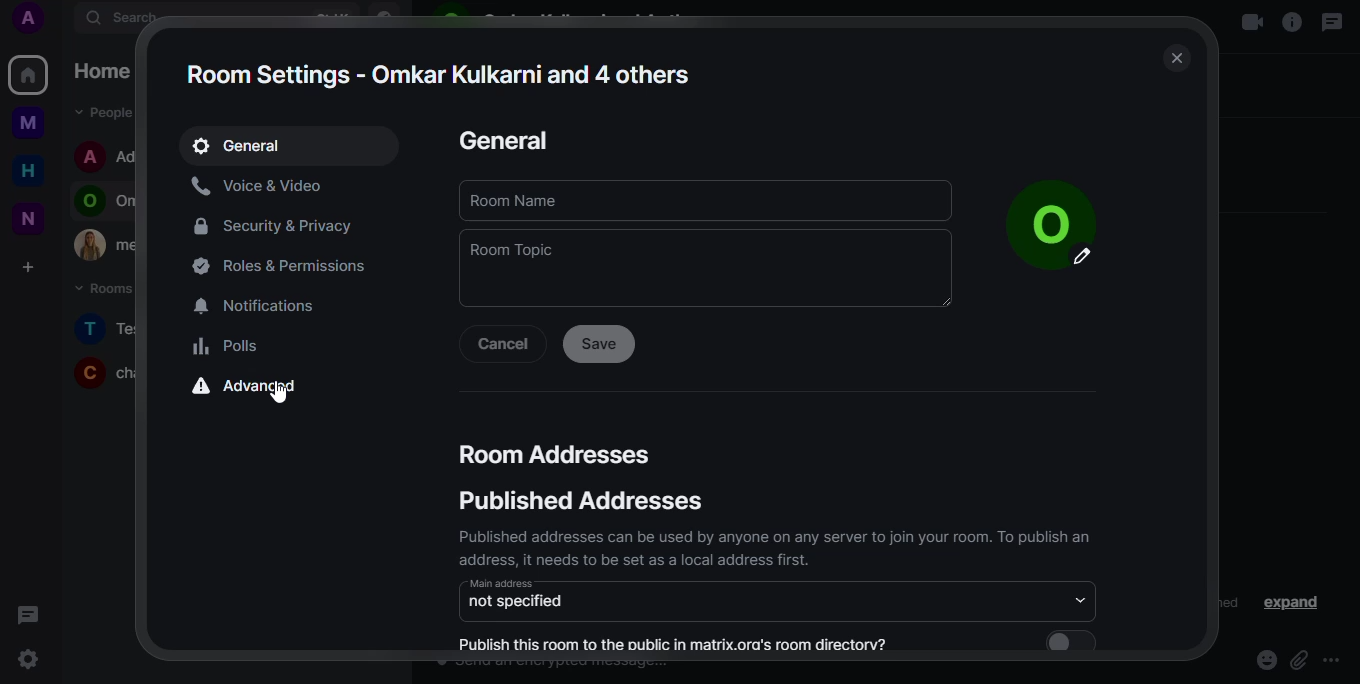  What do you see at coordinates (1039, 208) in the screenshot?
I see `profile` at bounding box center [1039, 208].